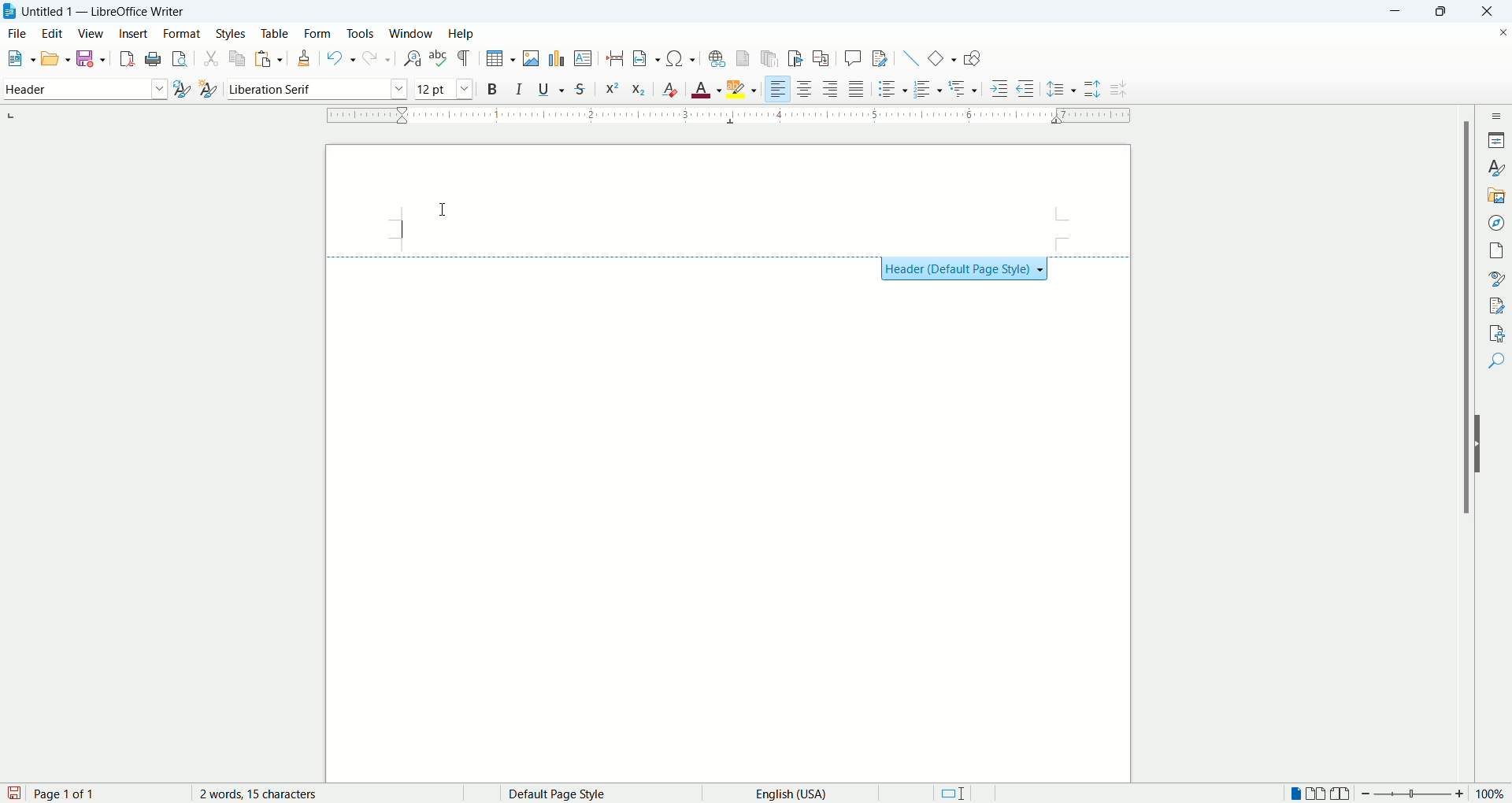  I want to click on zoom bar, so click(1414, 795).